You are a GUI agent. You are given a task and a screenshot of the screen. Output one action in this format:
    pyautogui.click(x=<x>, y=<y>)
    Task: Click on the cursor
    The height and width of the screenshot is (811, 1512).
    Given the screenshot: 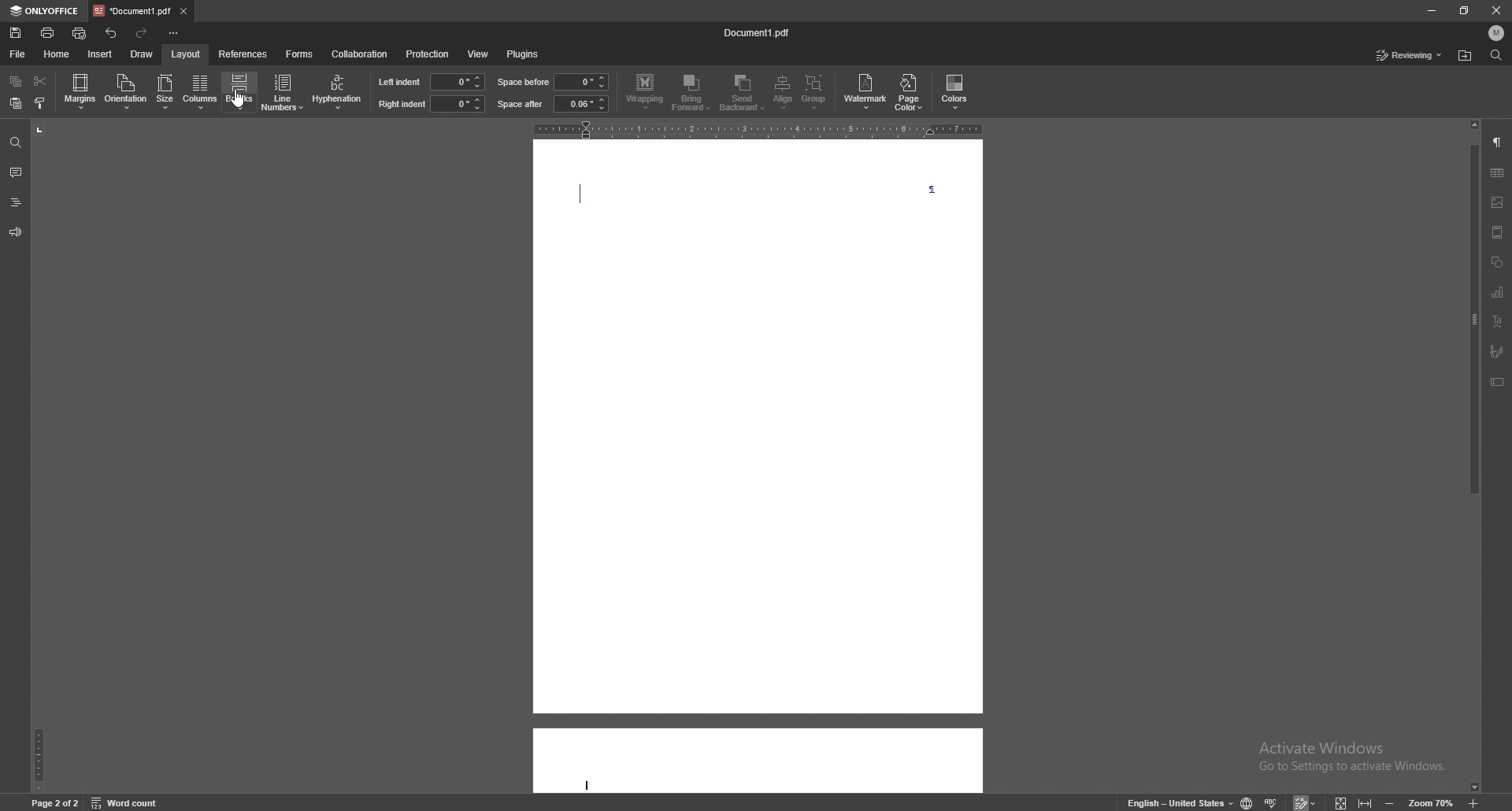 What is the action you would take?
    pyautogui.click(x=243, y=102)
    